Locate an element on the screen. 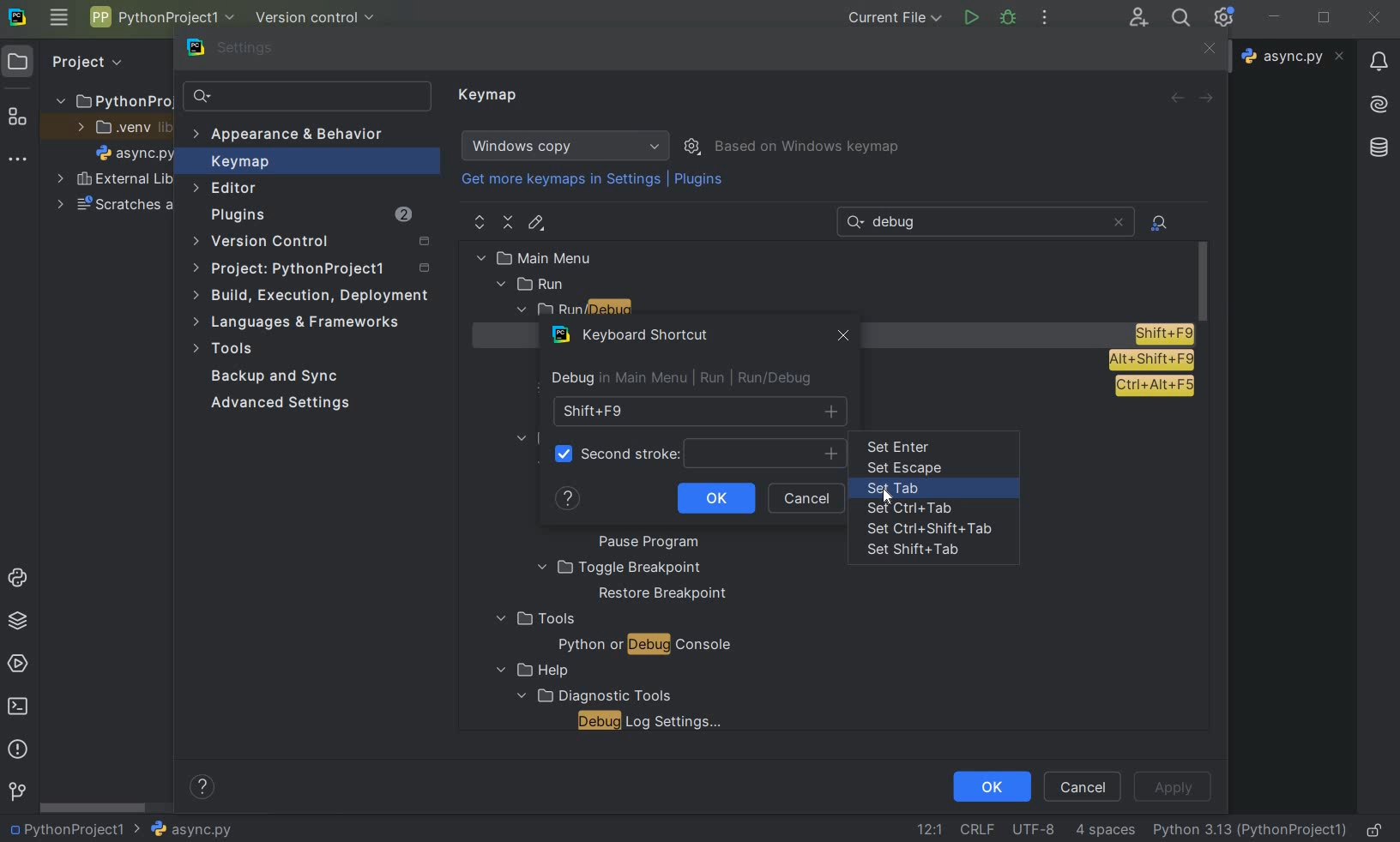 This screenshot has width=1400, height=842. python console is located at coordinates (21, 579).